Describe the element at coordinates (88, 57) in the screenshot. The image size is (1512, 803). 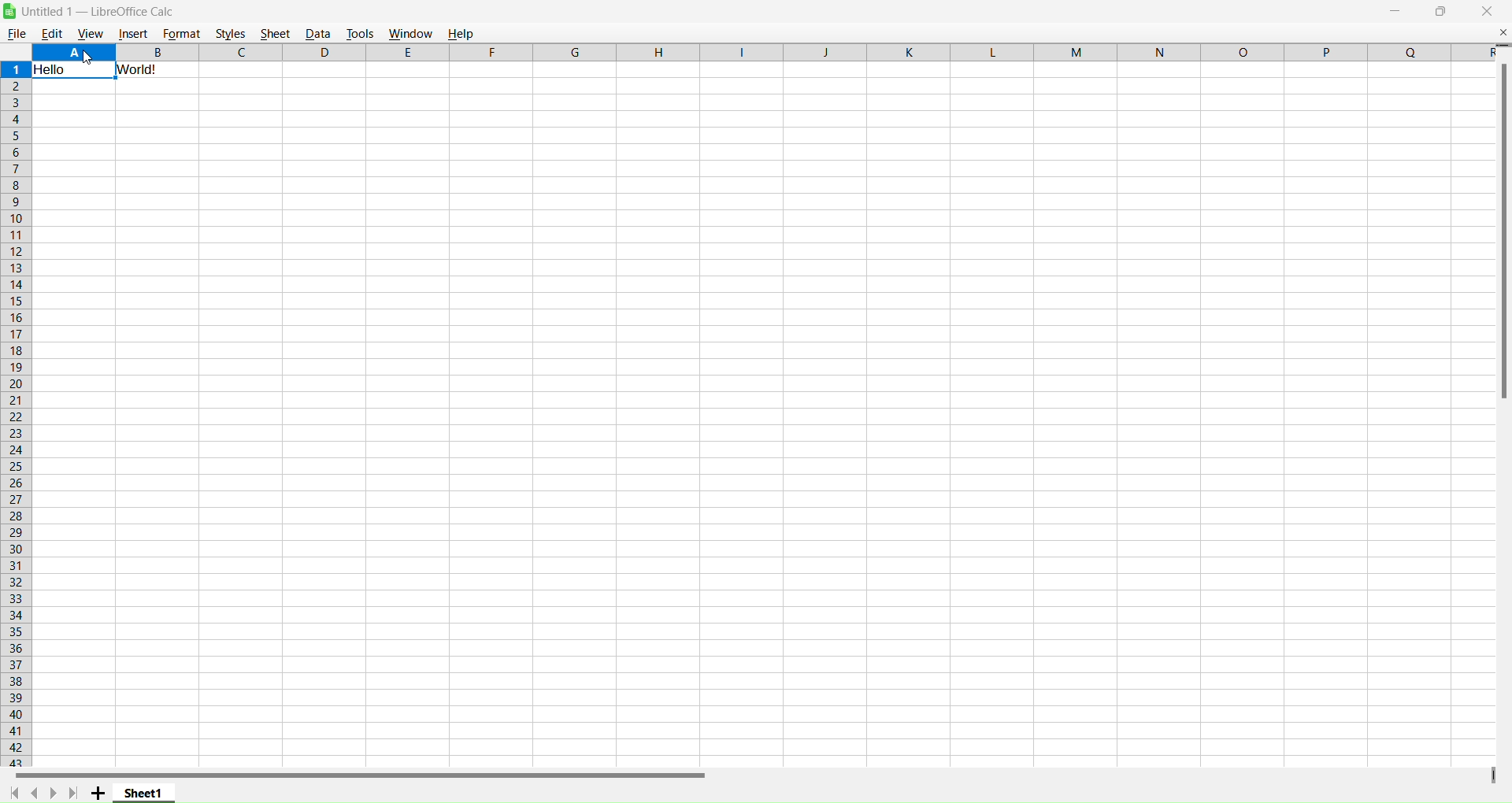
I see `cursor` at that location.